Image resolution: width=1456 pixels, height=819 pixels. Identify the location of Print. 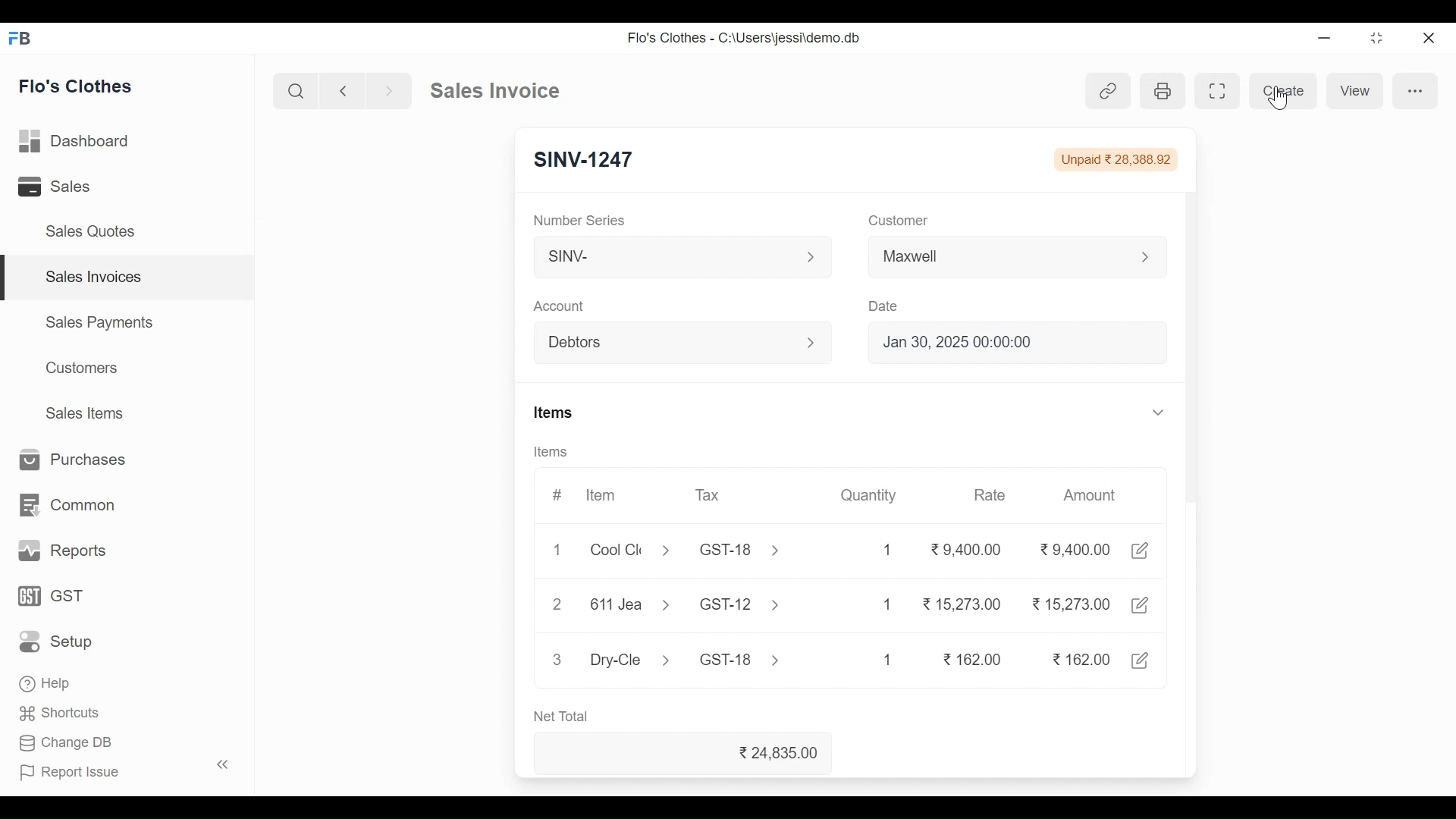
(1161, 90).